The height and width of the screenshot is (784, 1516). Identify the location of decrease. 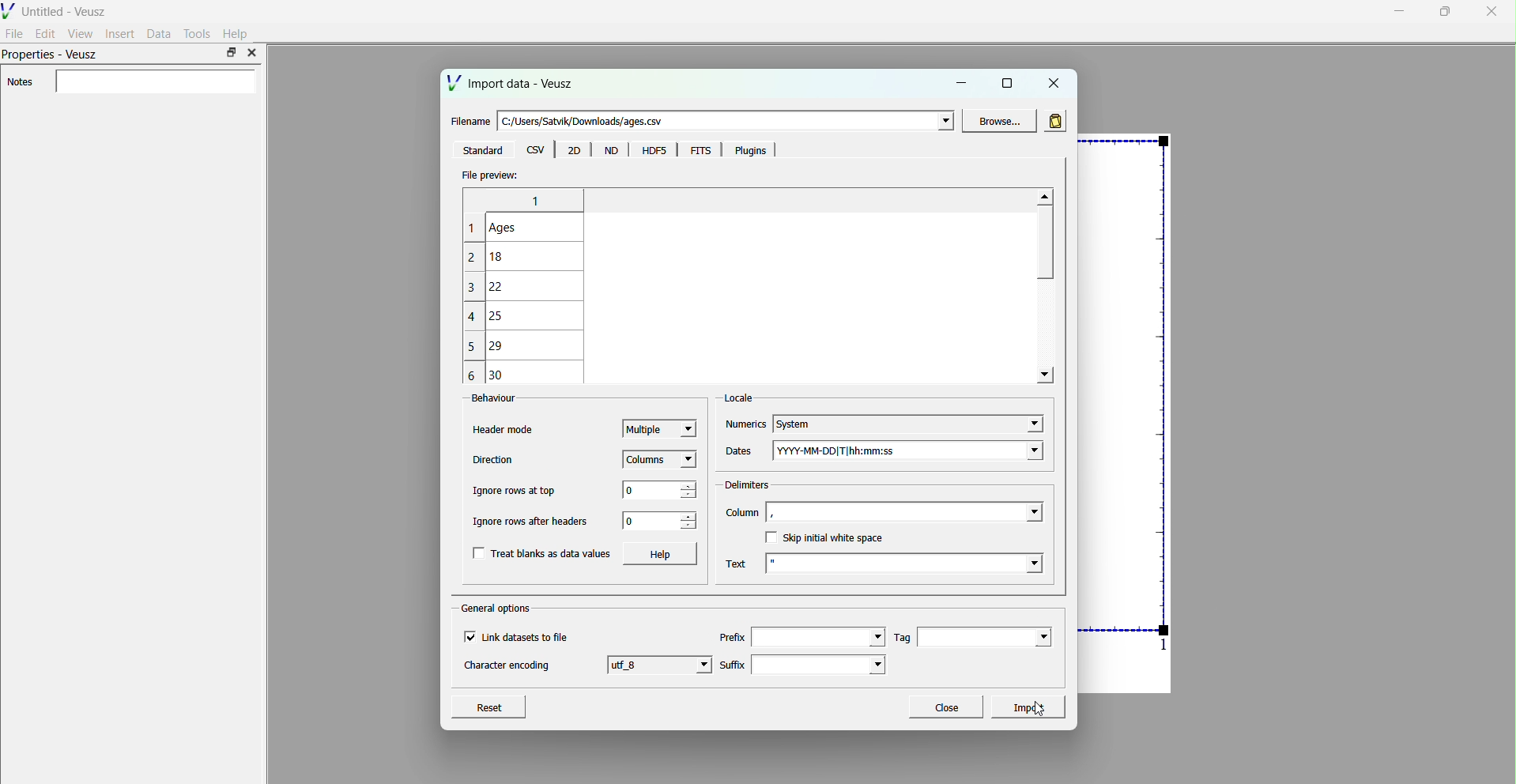
(689, 496).